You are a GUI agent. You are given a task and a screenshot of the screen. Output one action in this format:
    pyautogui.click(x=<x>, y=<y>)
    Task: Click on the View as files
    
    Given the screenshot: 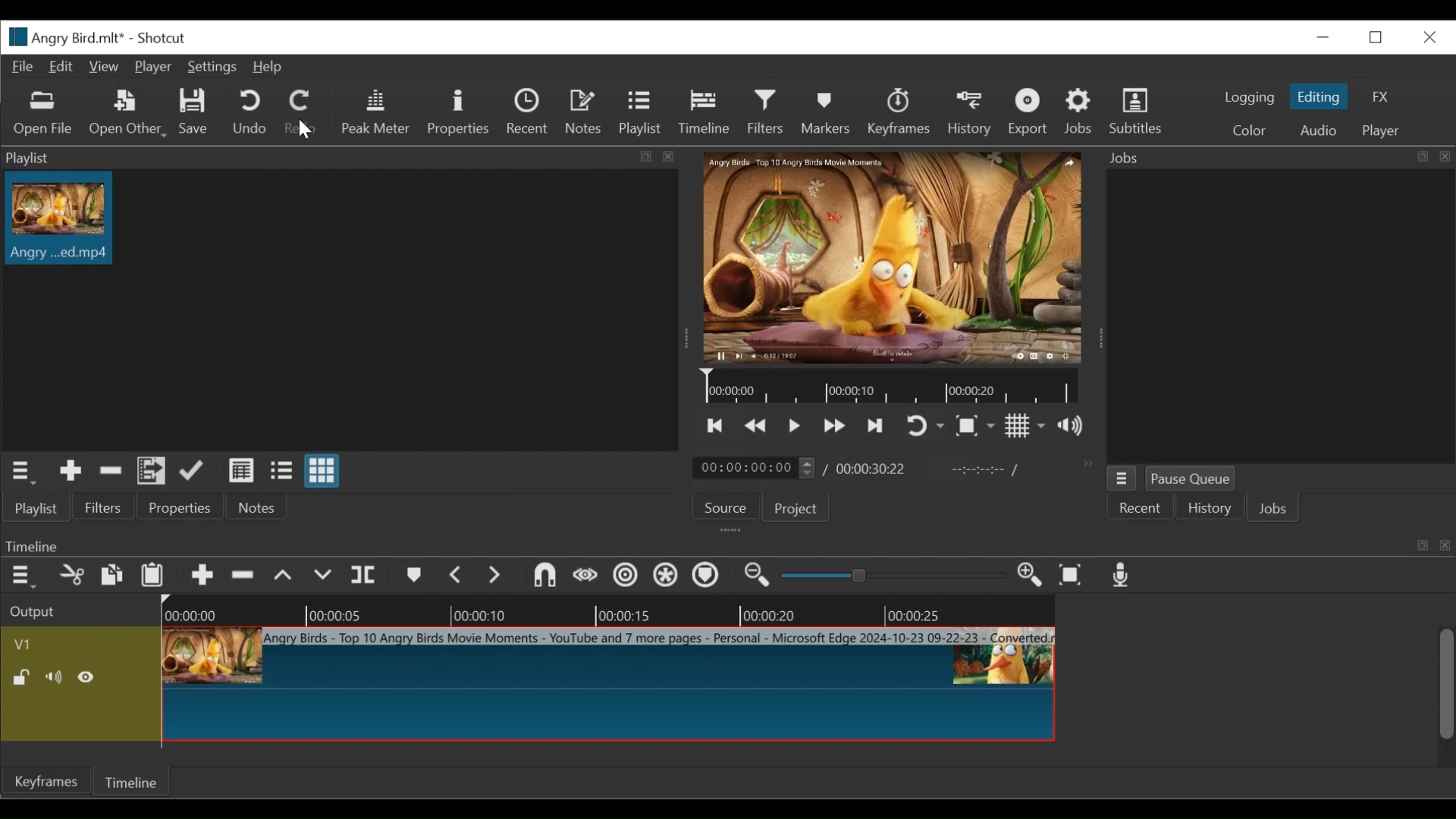 What is the action you would take?
    pyautogui.click(x=281, y=470)
    